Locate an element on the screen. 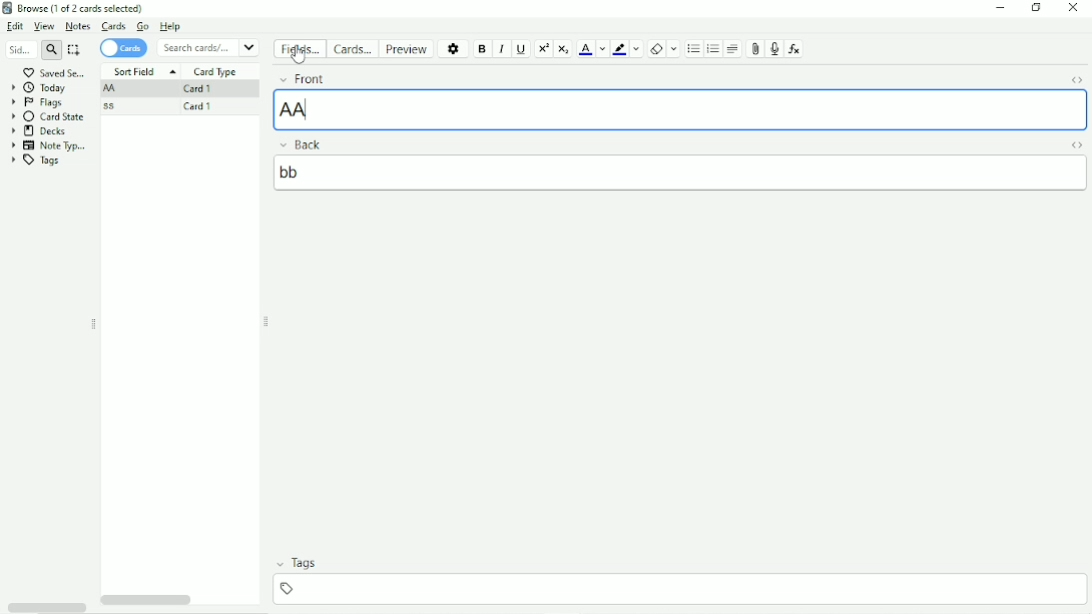 Image resolution: width=1092 pixels, height=614 pixels. Minimize is located at coordinates (999, 8).